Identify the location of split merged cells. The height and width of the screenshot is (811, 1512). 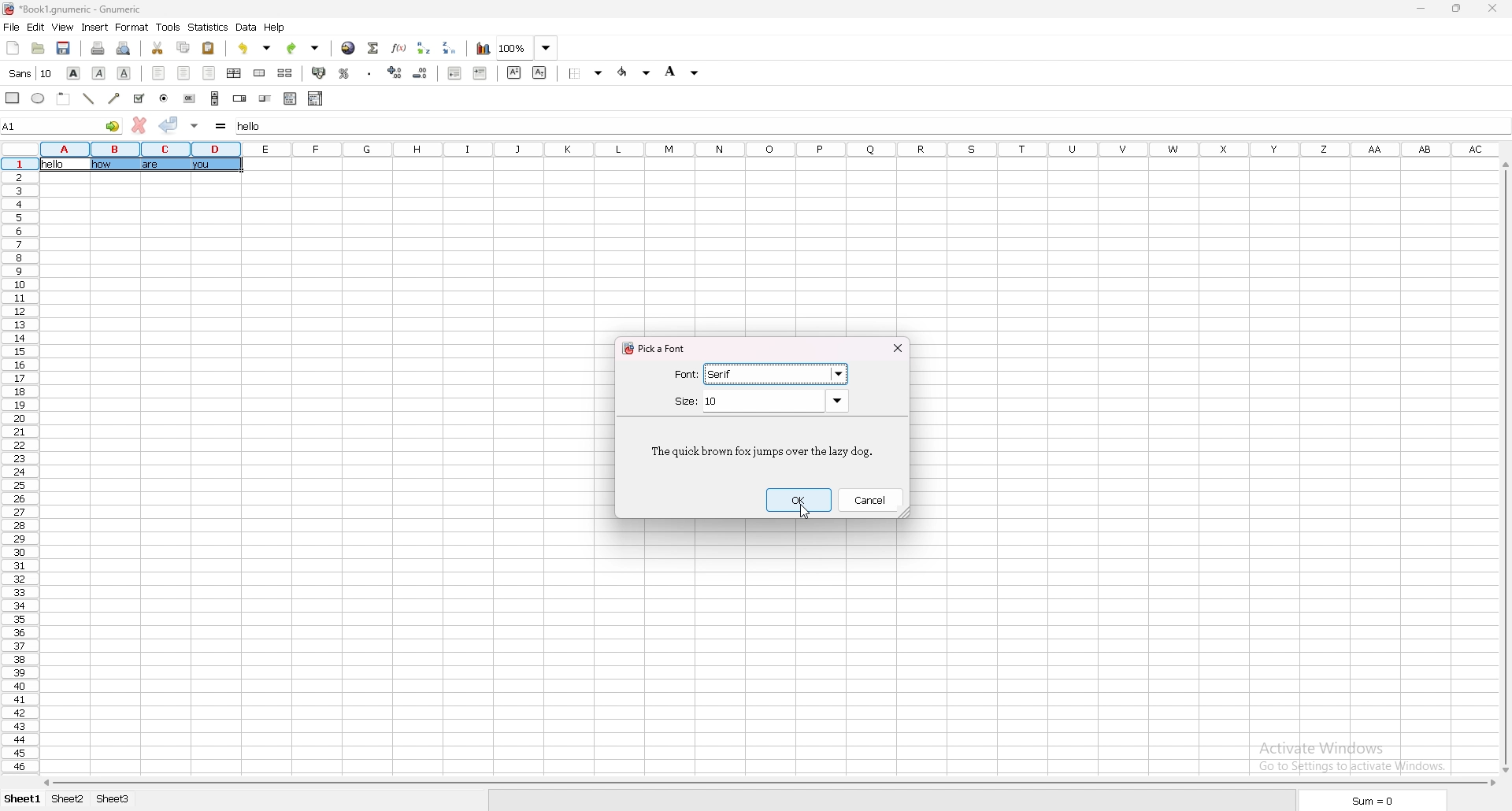
(285, 73).